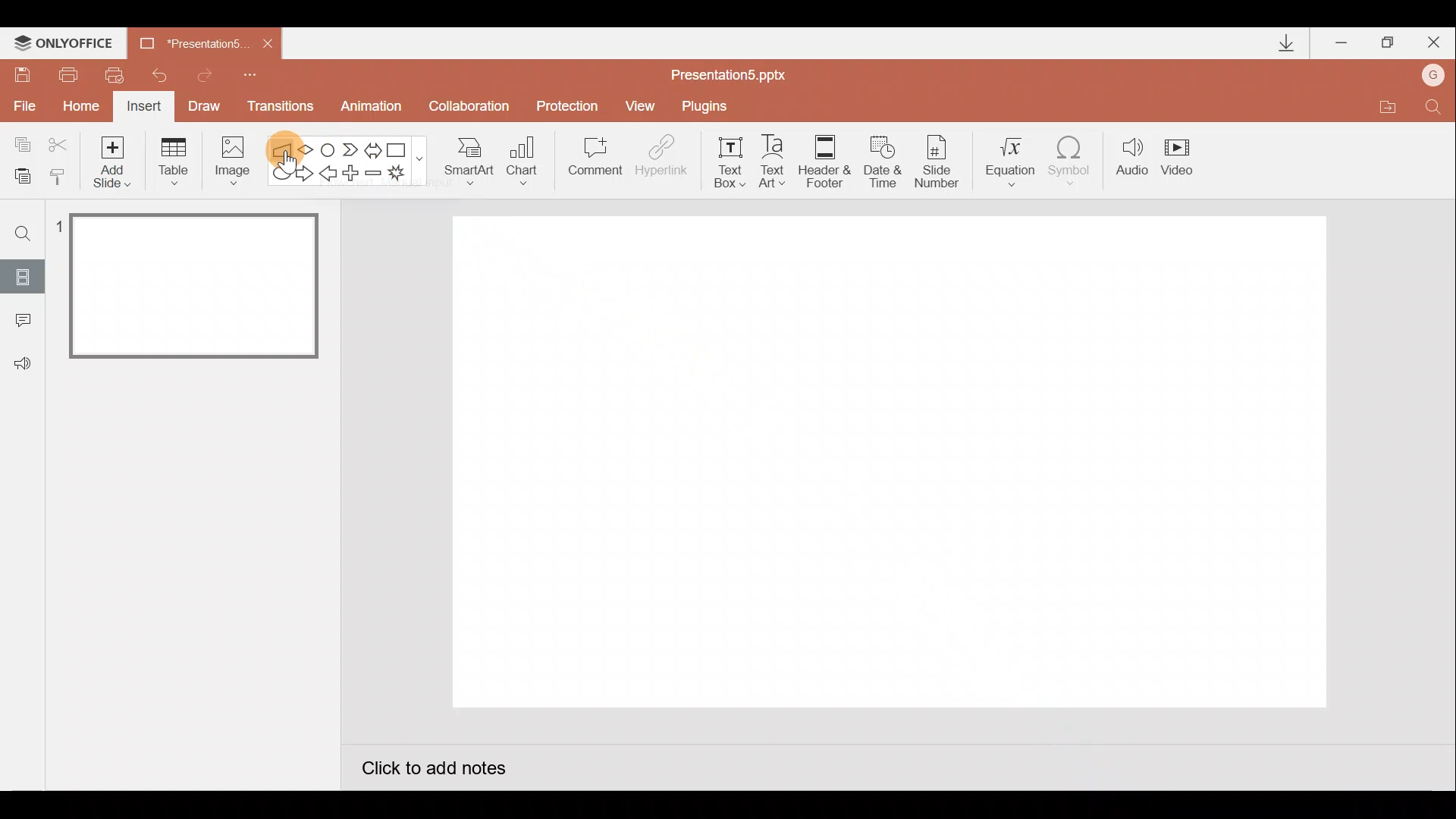 This screenshot has height=819, width=1456. Describe the element at coordinates (373, 108) in the screenshot. I see `Animation` at that location.